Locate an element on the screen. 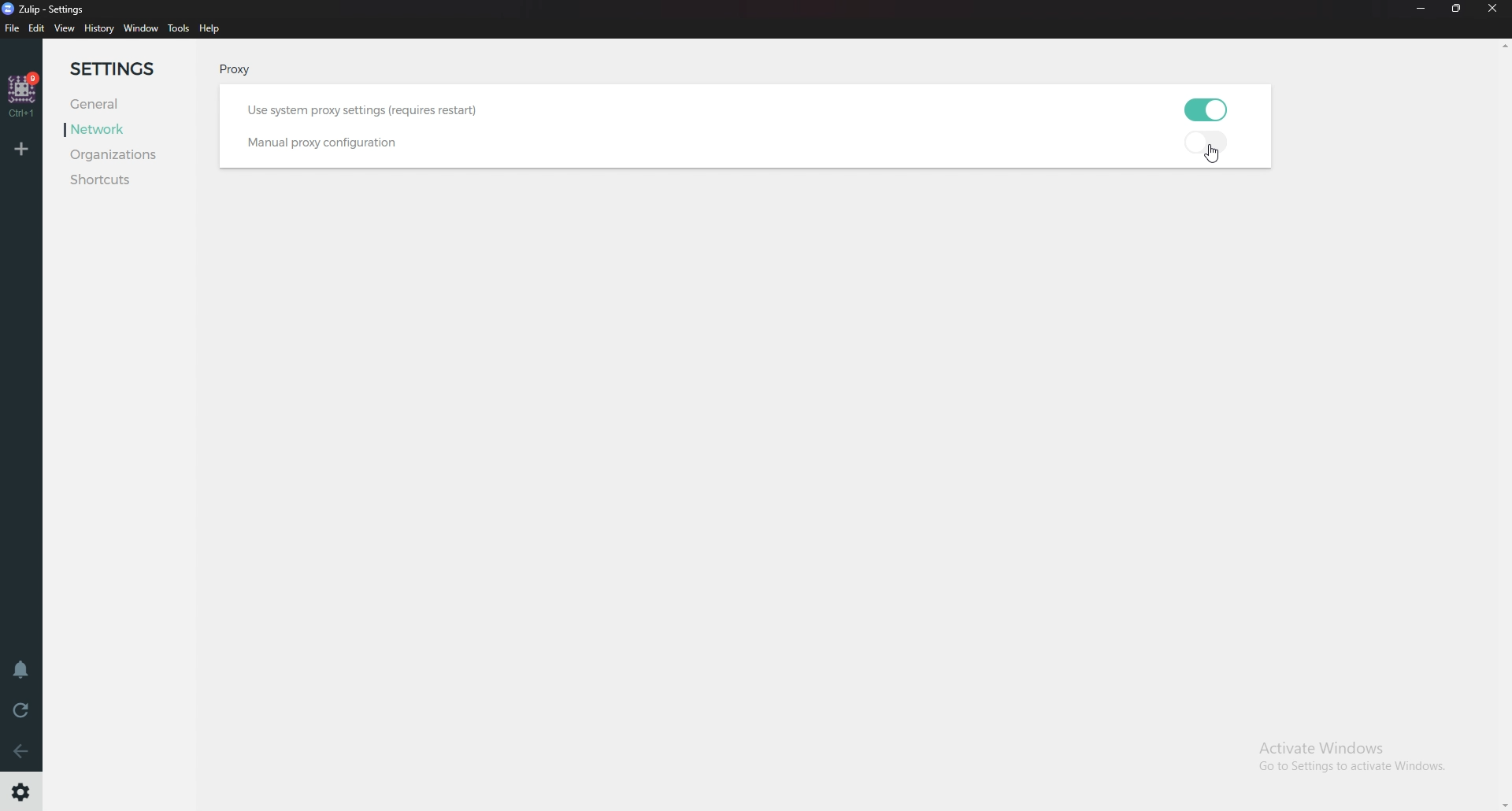  zulip is located at coordinates (49, 9).